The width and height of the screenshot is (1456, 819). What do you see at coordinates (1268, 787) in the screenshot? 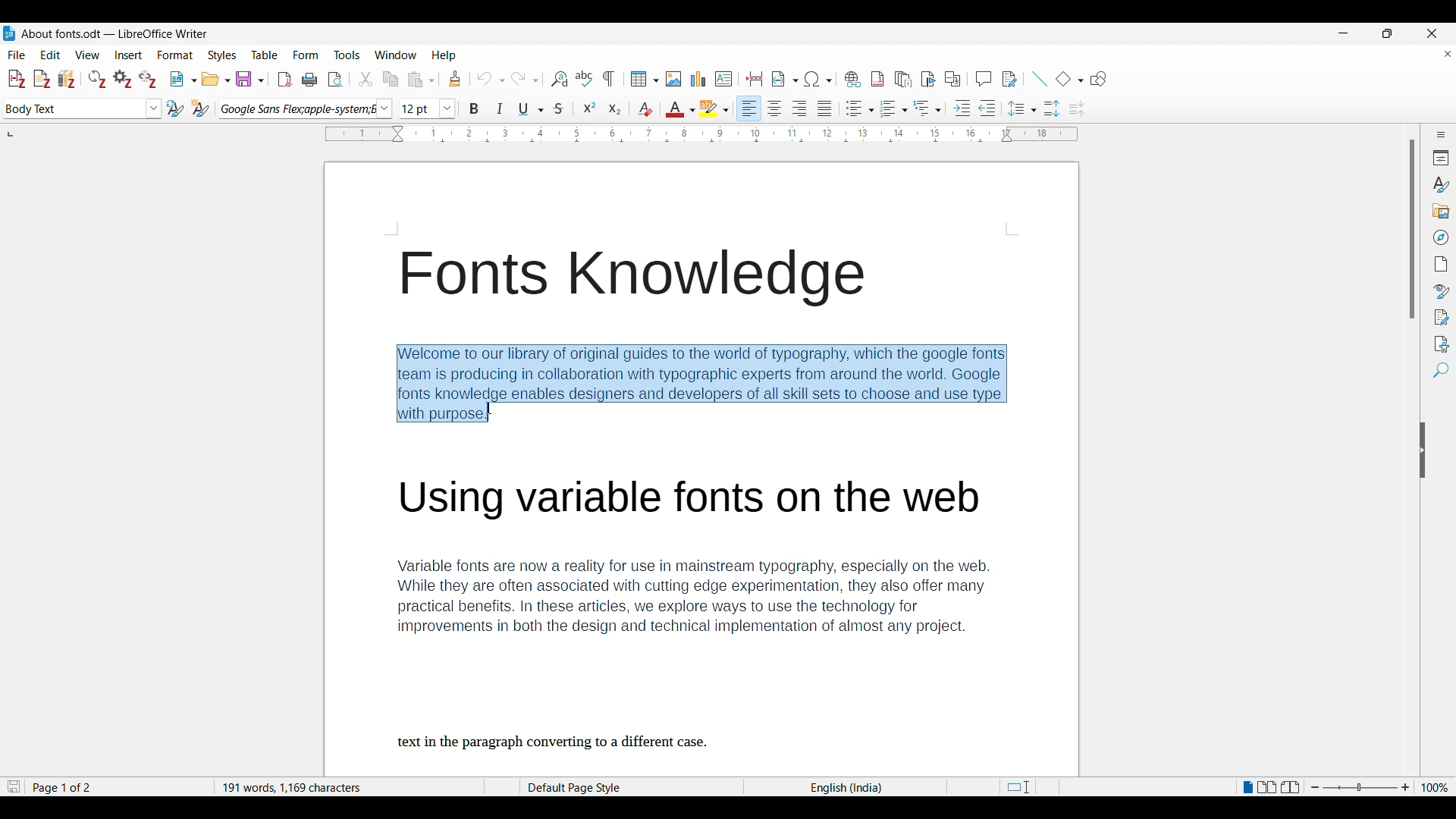
I see `Multiple page view` at bounding box center [1268, 787].